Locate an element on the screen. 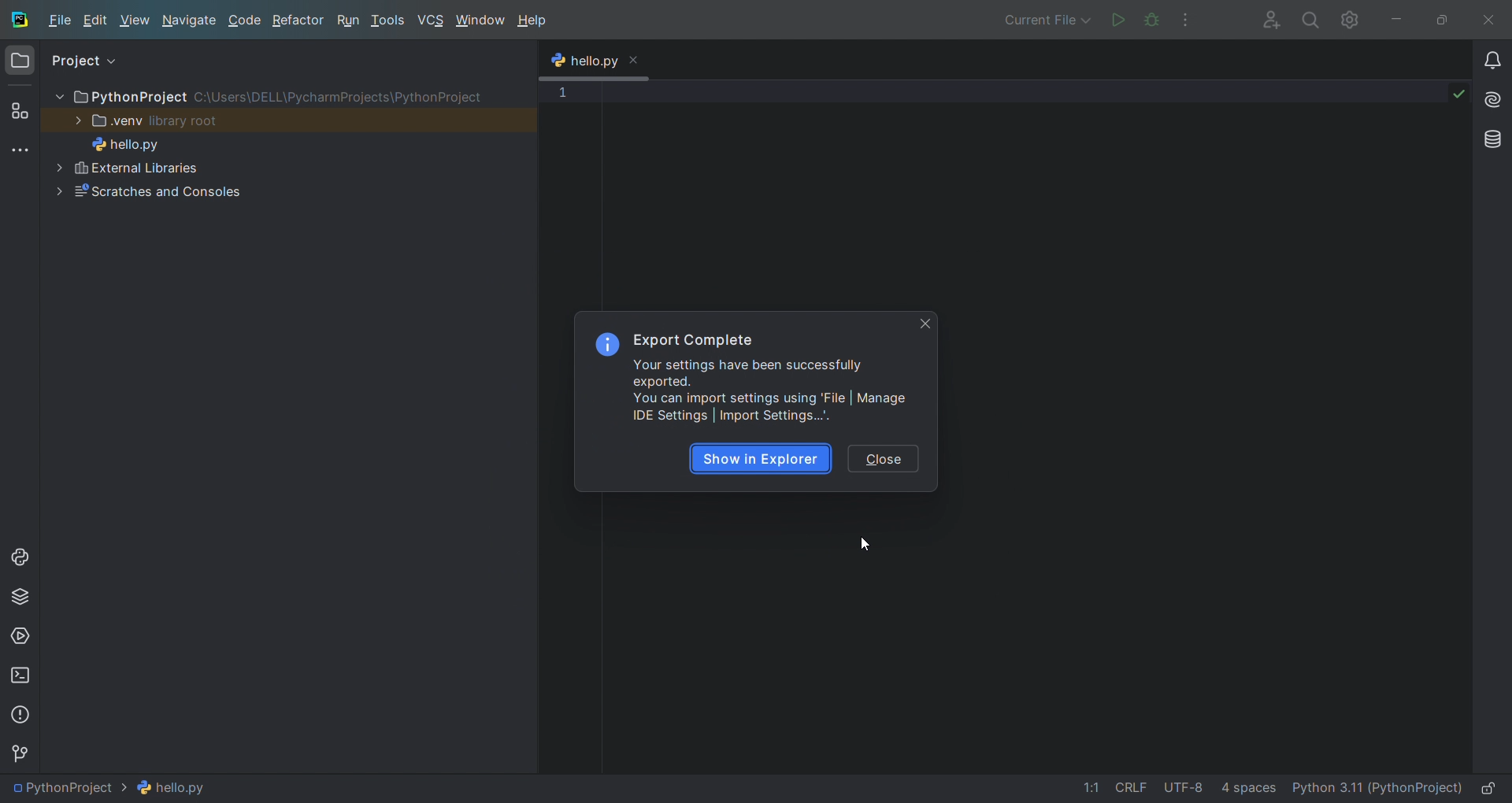 This screenshot has width=1512, height=803. more tools windows is located at coordinates (24, 150).